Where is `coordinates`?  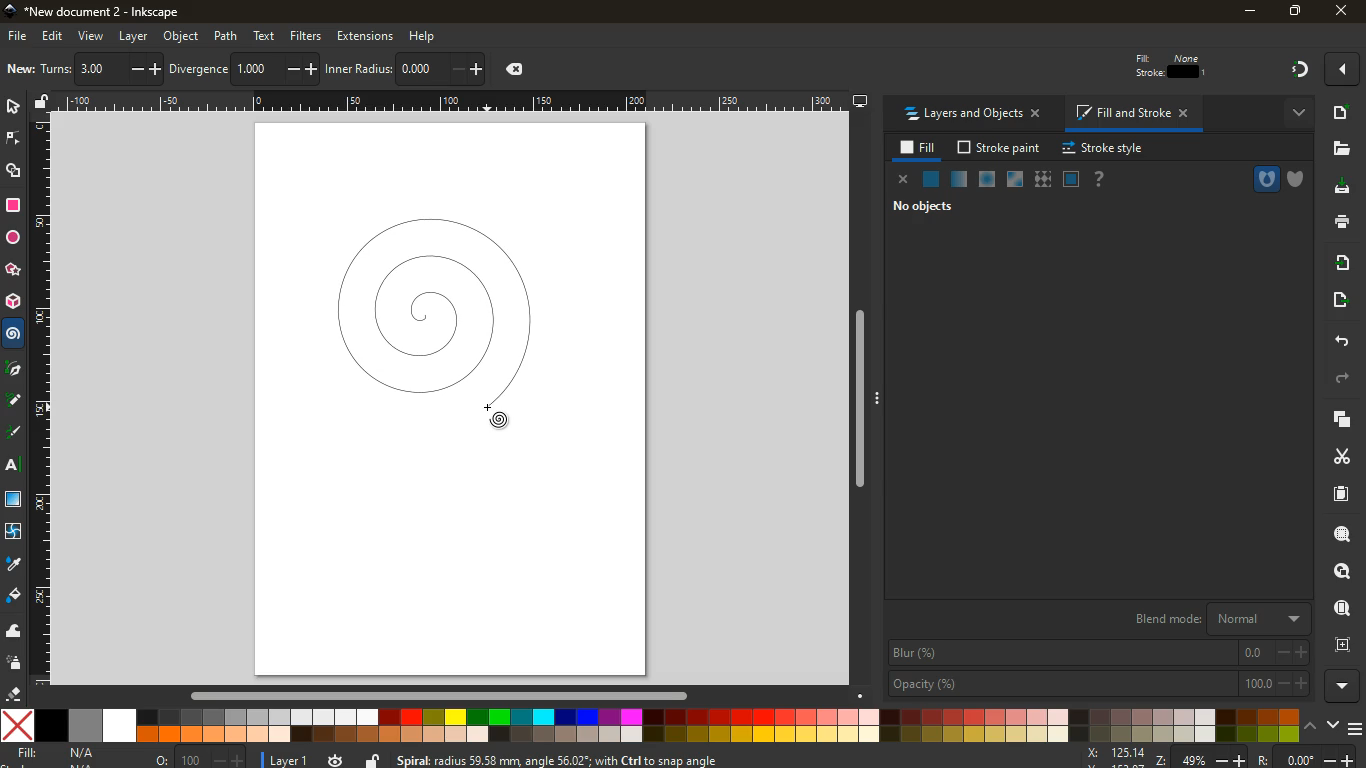 coordinates is located at coordinates (512, 71).